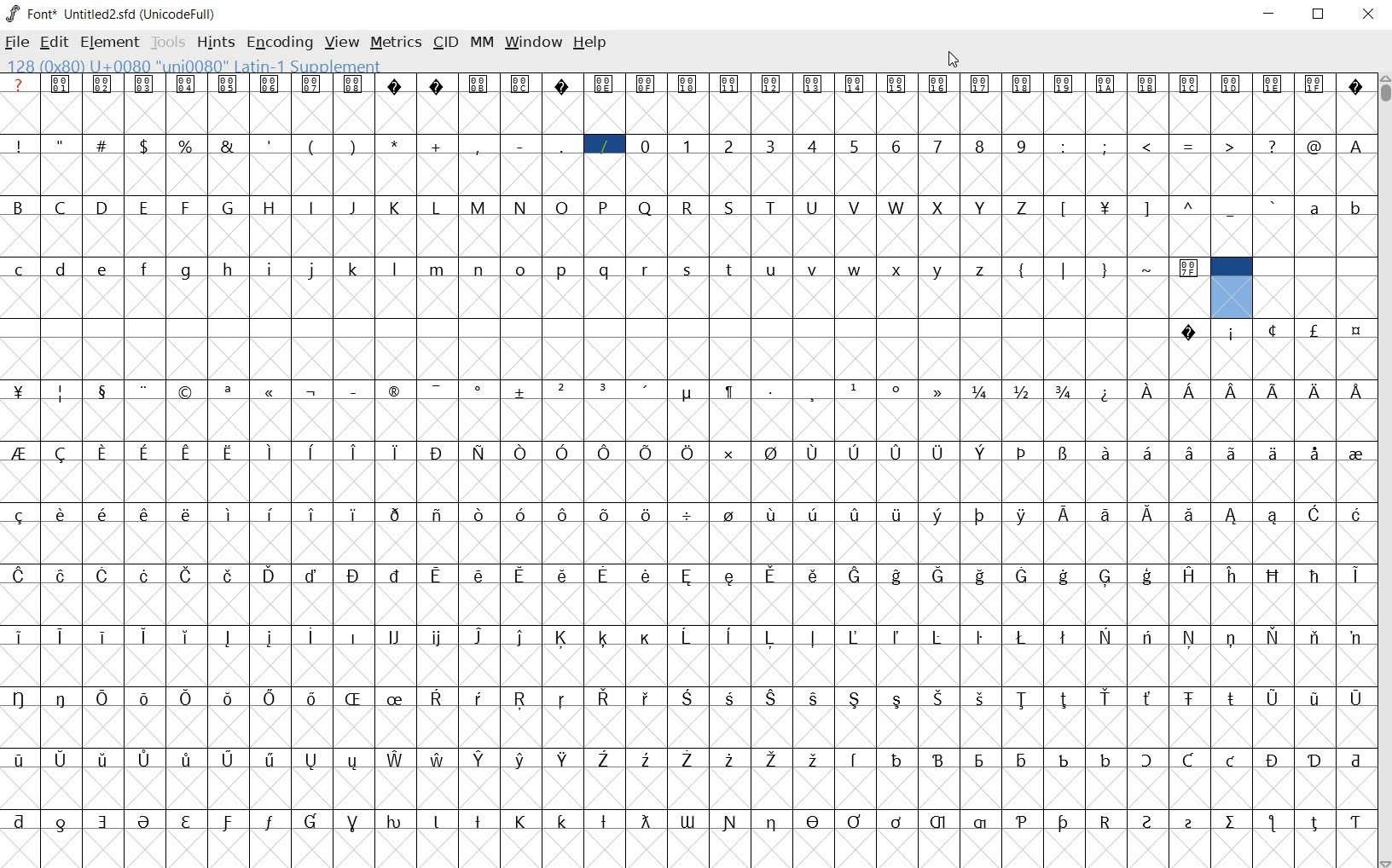 The image size is (1392, 868). What do you see at coordinates (1314, 454) in the screenshot?
I see `Symbol` at bounding box center [1314, 454].